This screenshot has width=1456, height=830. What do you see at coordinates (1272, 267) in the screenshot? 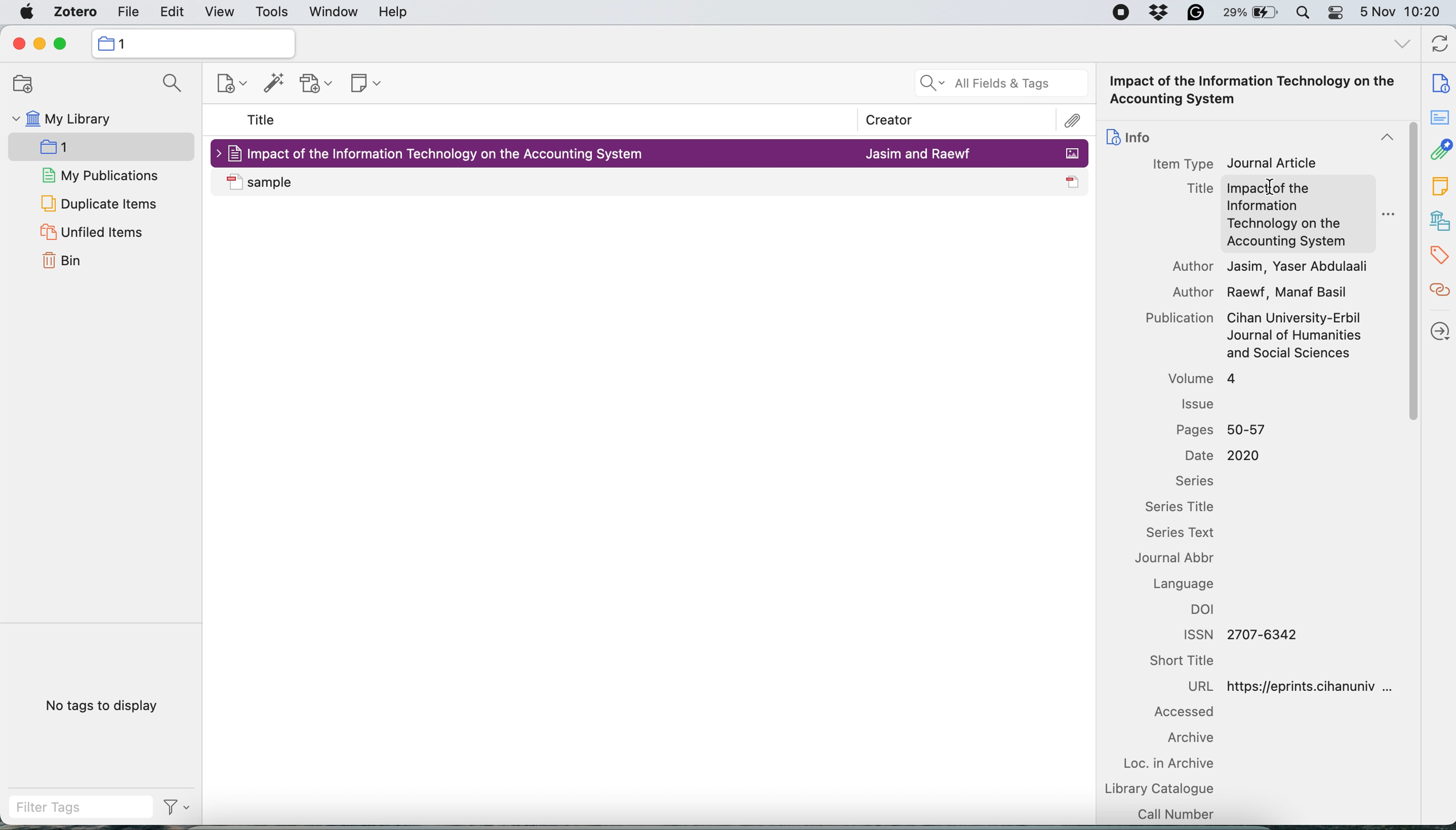
I see `Author Jasim, Yaser Abdulaali` at bounding box center [1272, 267].